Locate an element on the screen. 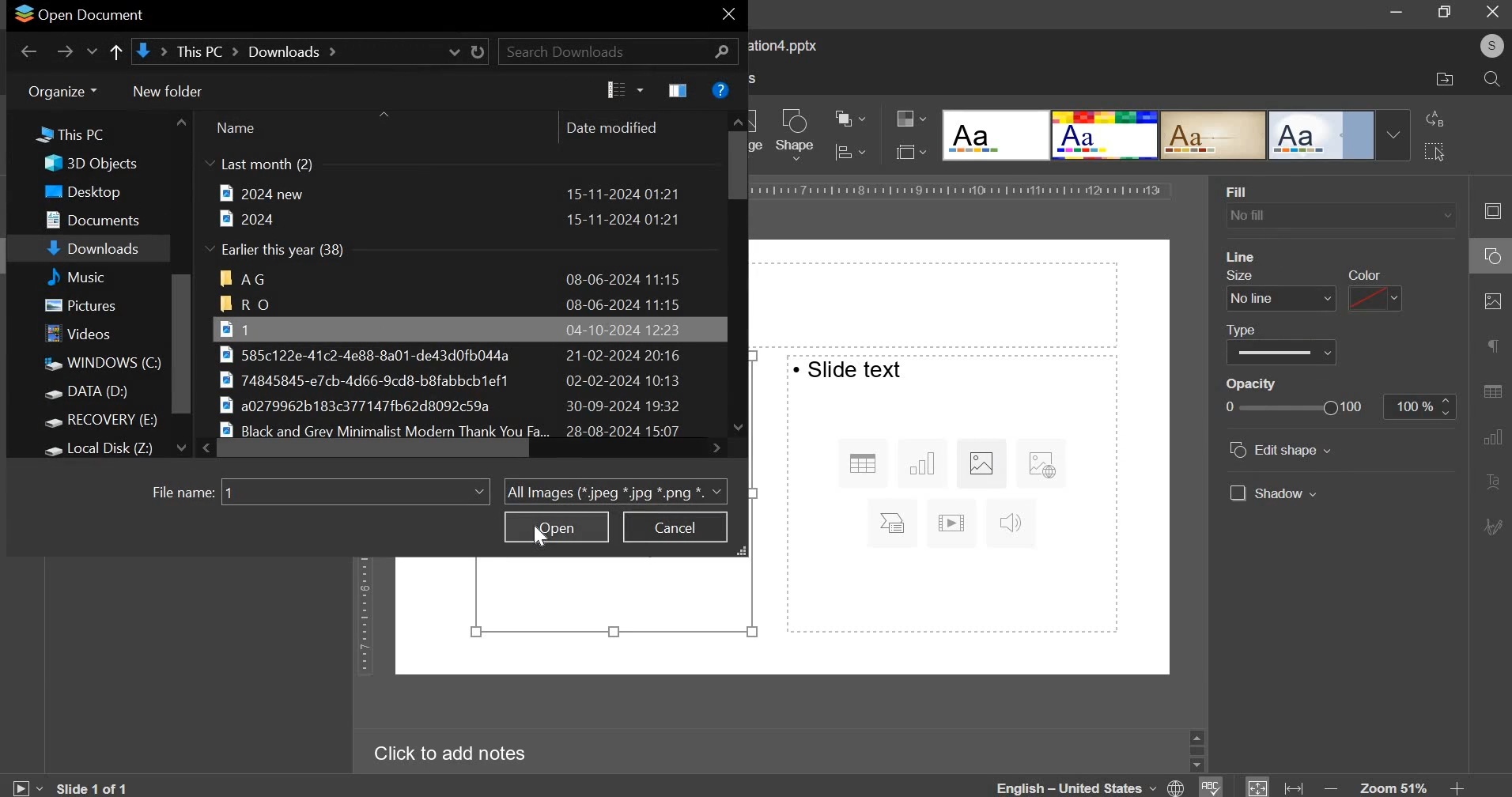  file name is located at coordinates (354, 490).